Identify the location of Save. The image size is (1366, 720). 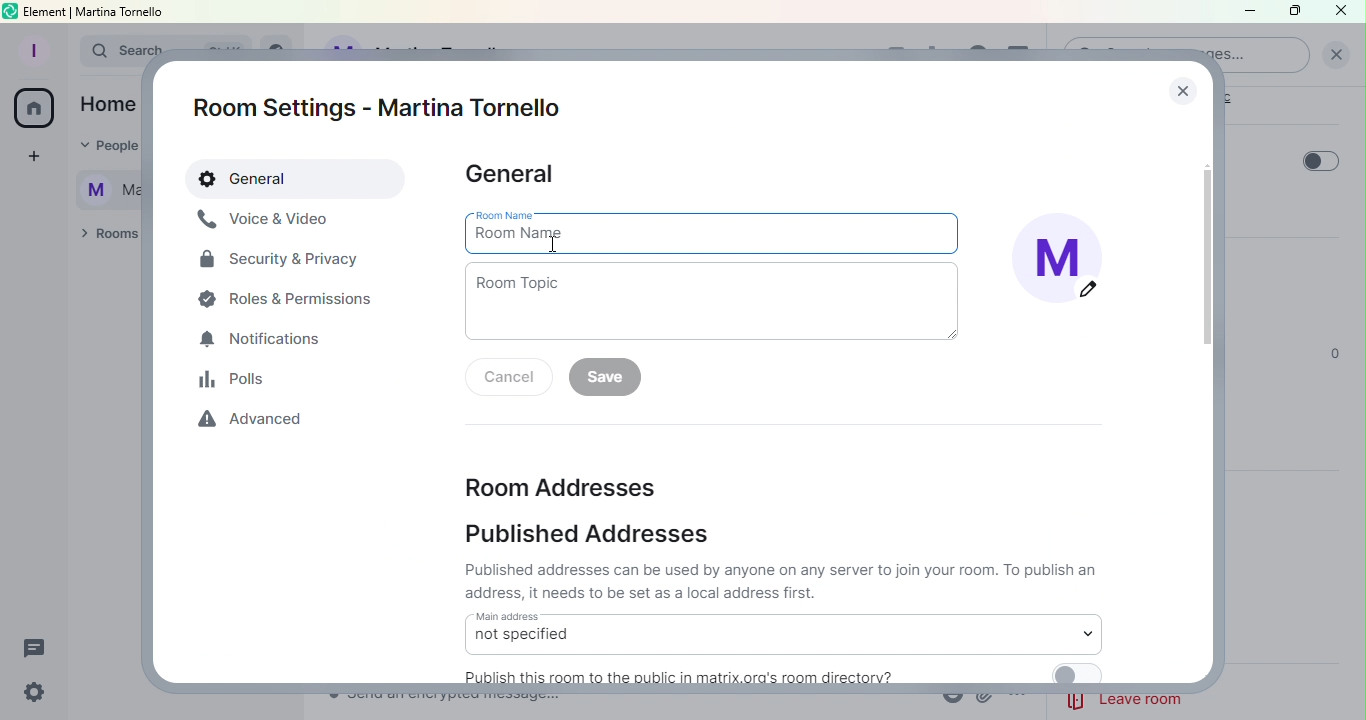
(610, 378).